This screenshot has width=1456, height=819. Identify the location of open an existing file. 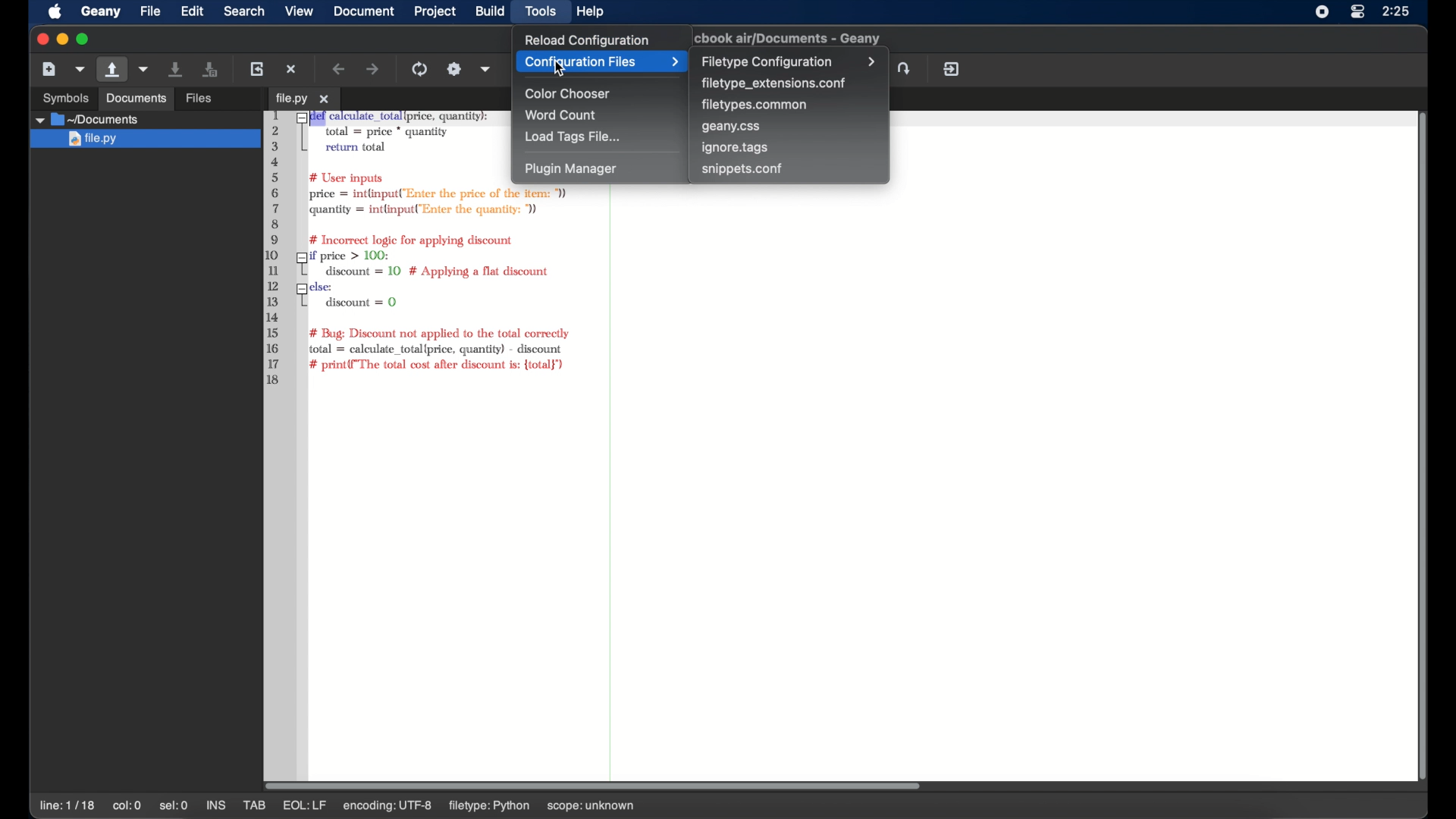
(222, 99).